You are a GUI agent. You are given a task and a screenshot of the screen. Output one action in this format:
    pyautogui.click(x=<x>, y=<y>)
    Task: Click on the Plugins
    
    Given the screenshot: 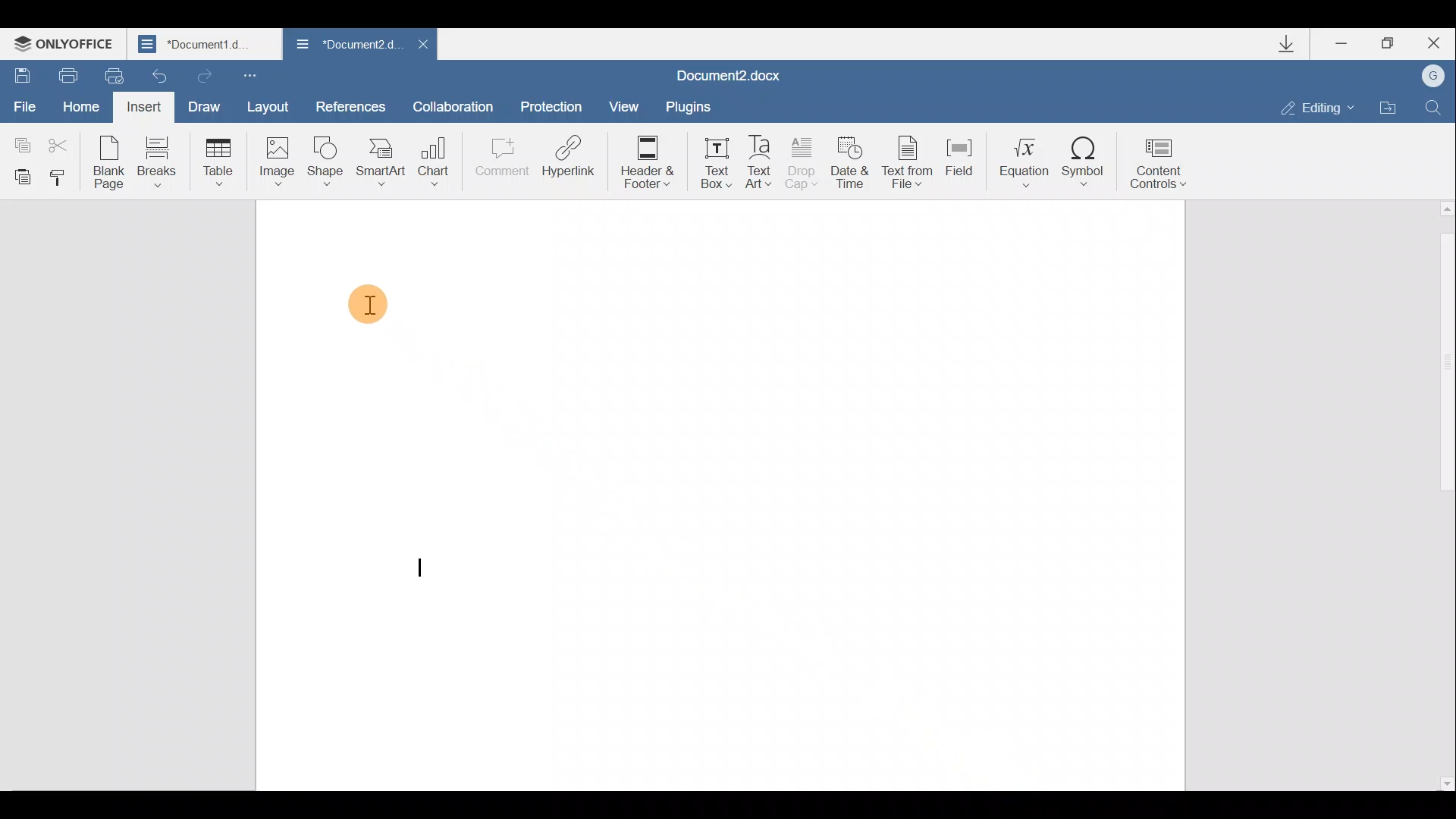 What is the action you would take?
    pyautogui.click(x=686, y=106)
    